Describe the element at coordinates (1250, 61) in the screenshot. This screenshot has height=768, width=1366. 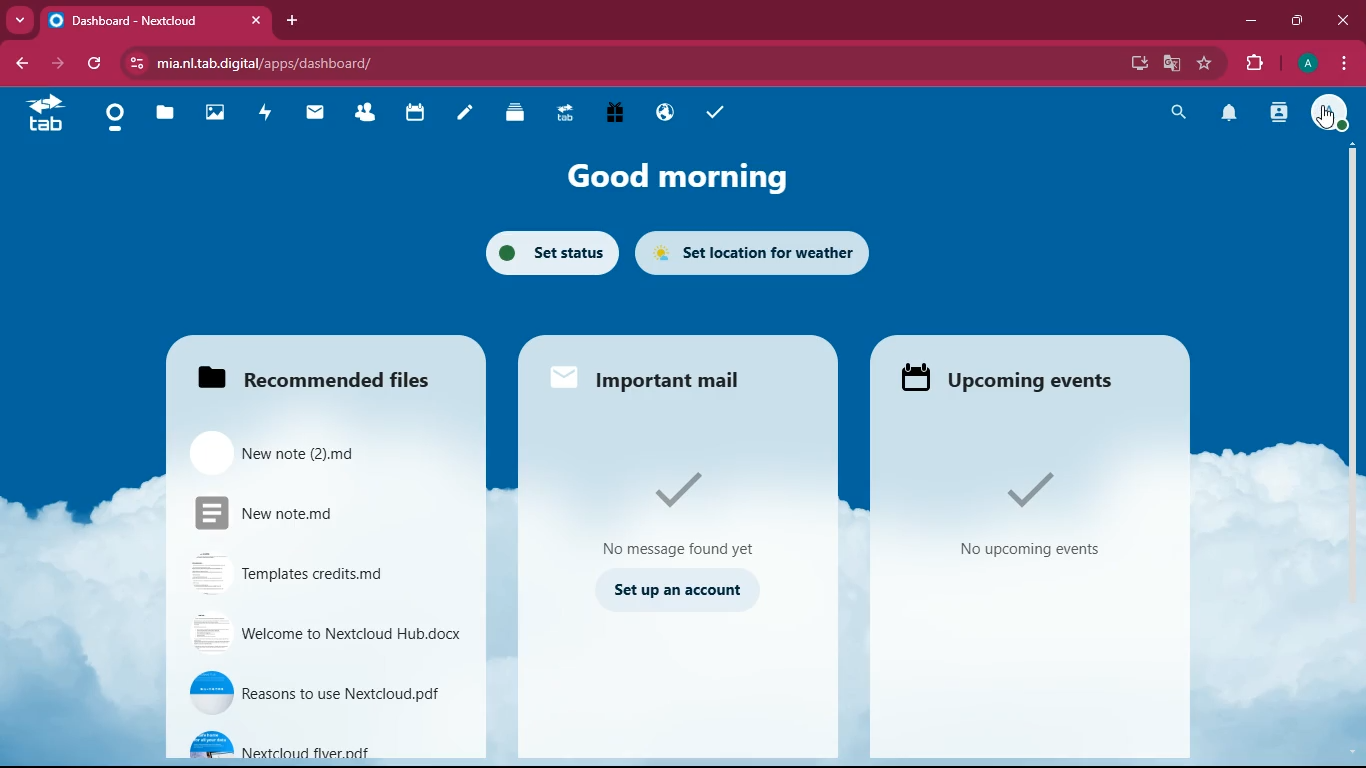
I see `extensions` at that location.